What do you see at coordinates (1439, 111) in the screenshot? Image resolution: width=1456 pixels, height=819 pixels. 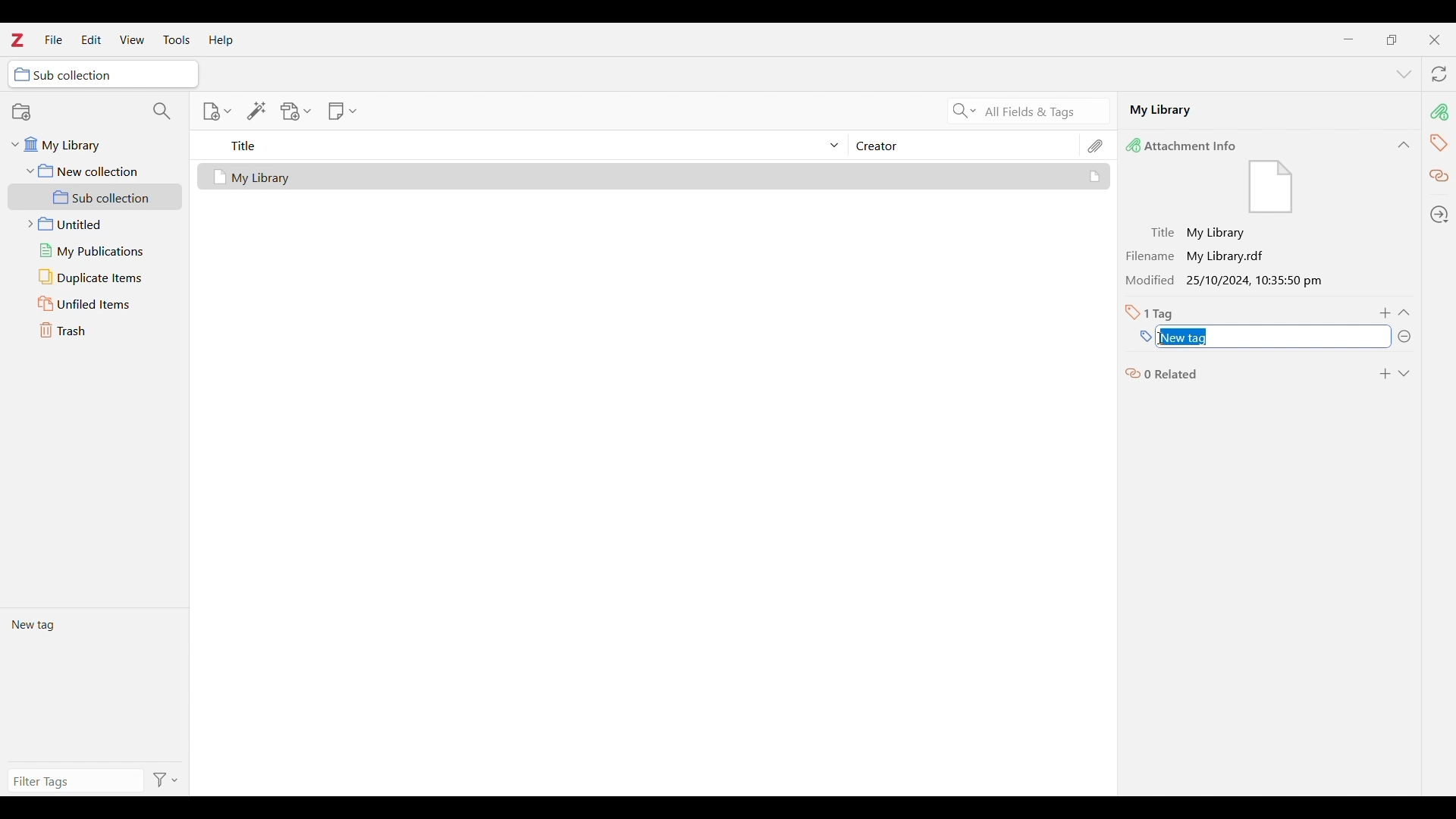 I see `pin` at bounding box center [1439, 111].